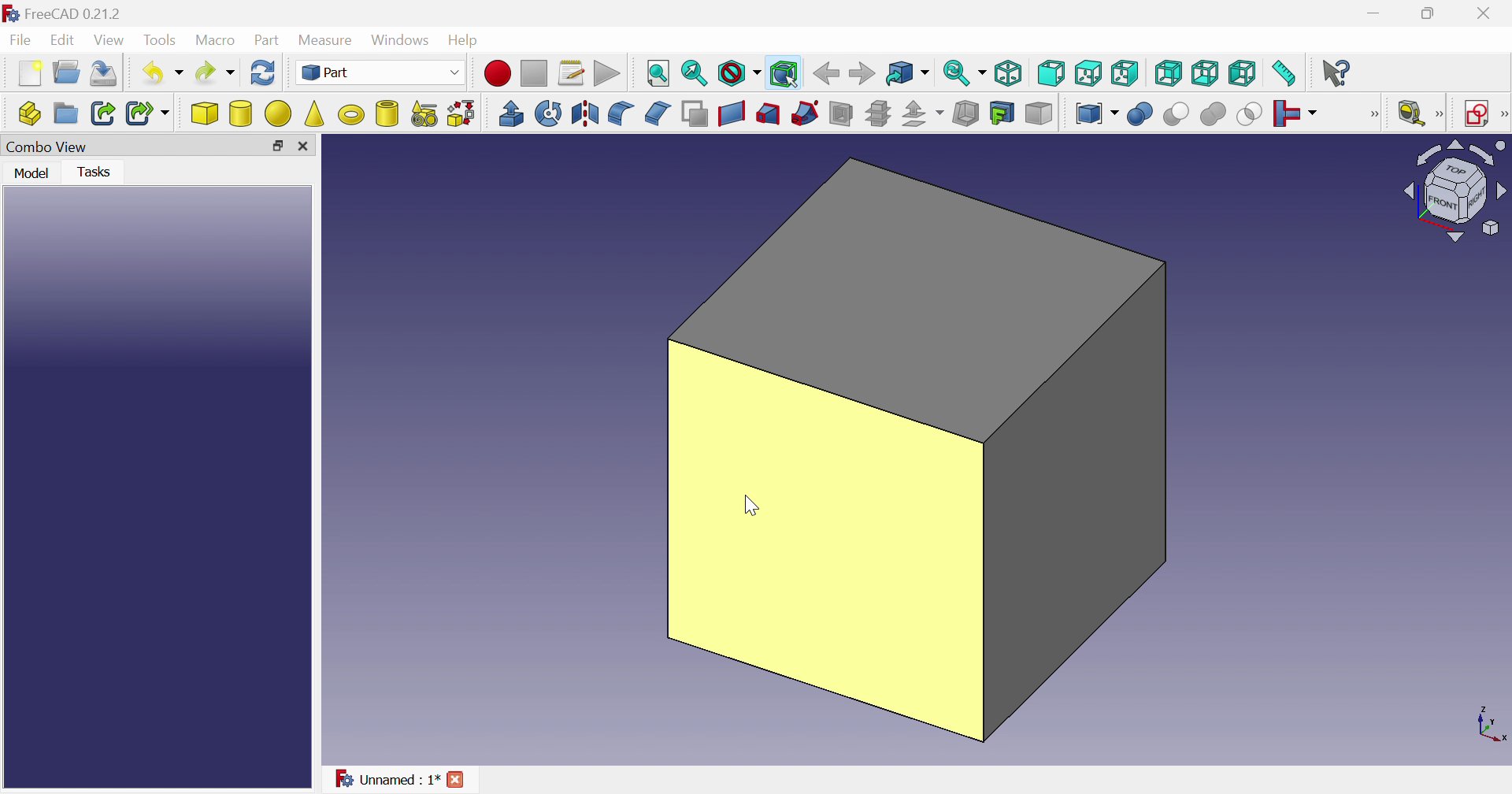 The width and height of the screenshot is (1512, 794). I want to click on Mirroring..., so click(583, 113).